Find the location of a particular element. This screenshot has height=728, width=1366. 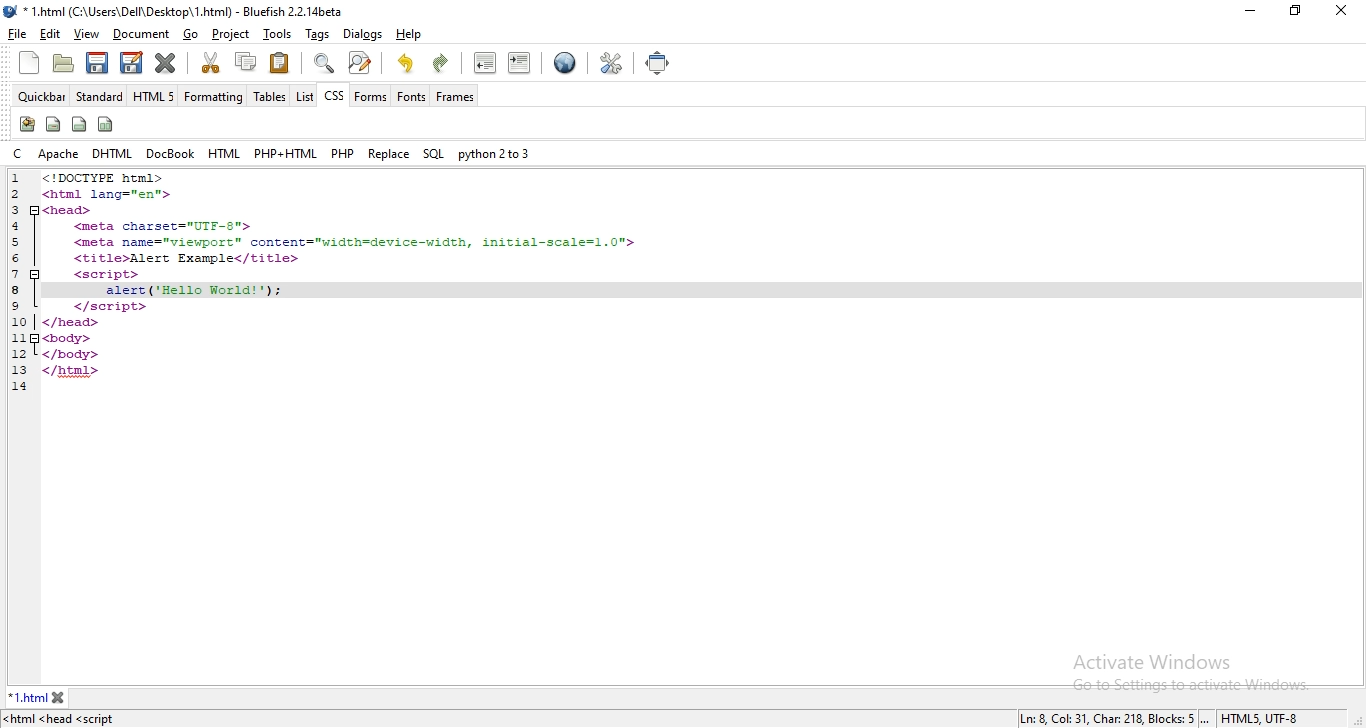

edit is located at coordinates (133, 63).